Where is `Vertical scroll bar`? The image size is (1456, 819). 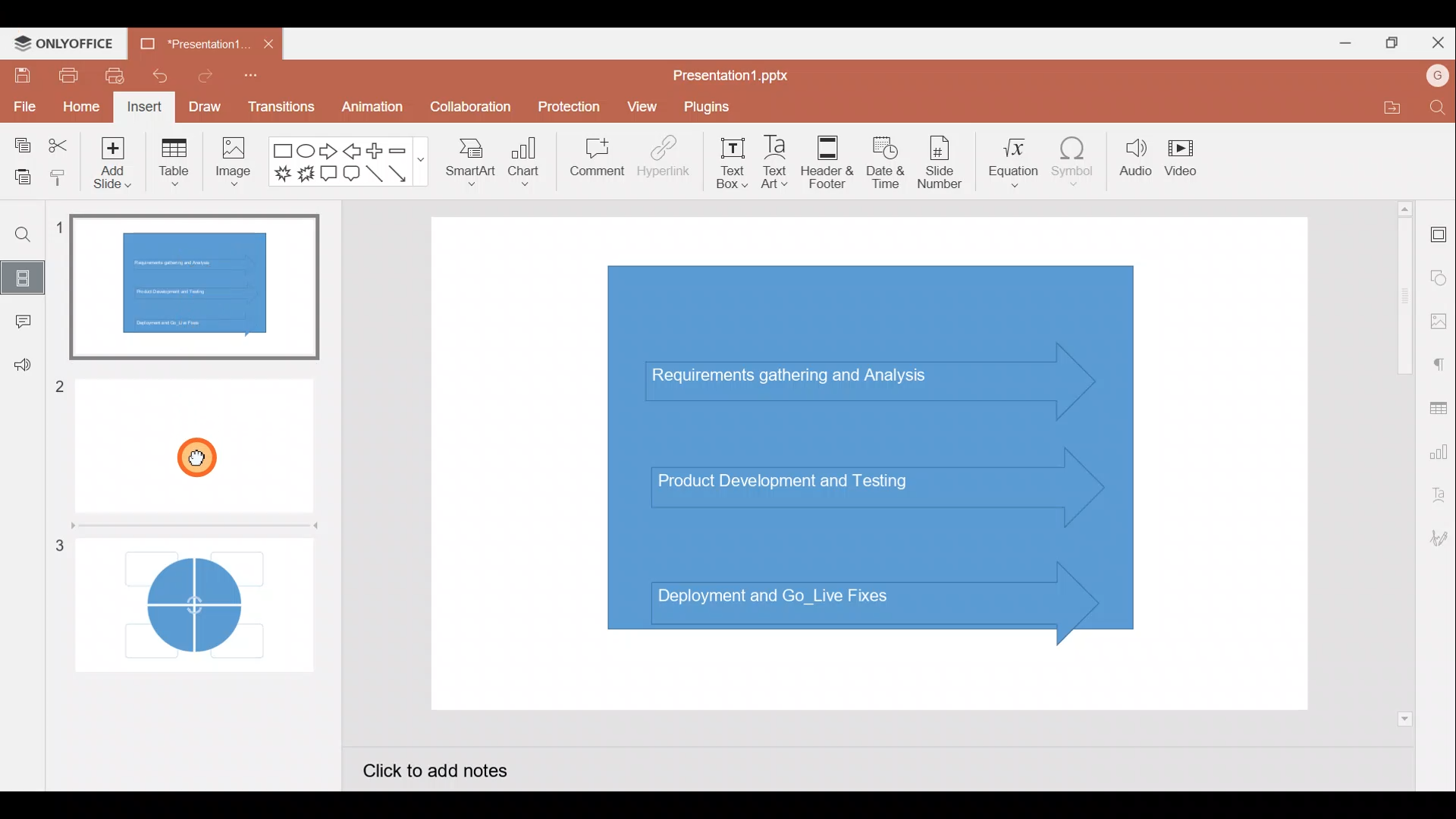
Vertical scroll bar is located at coordinates (1401, 462).